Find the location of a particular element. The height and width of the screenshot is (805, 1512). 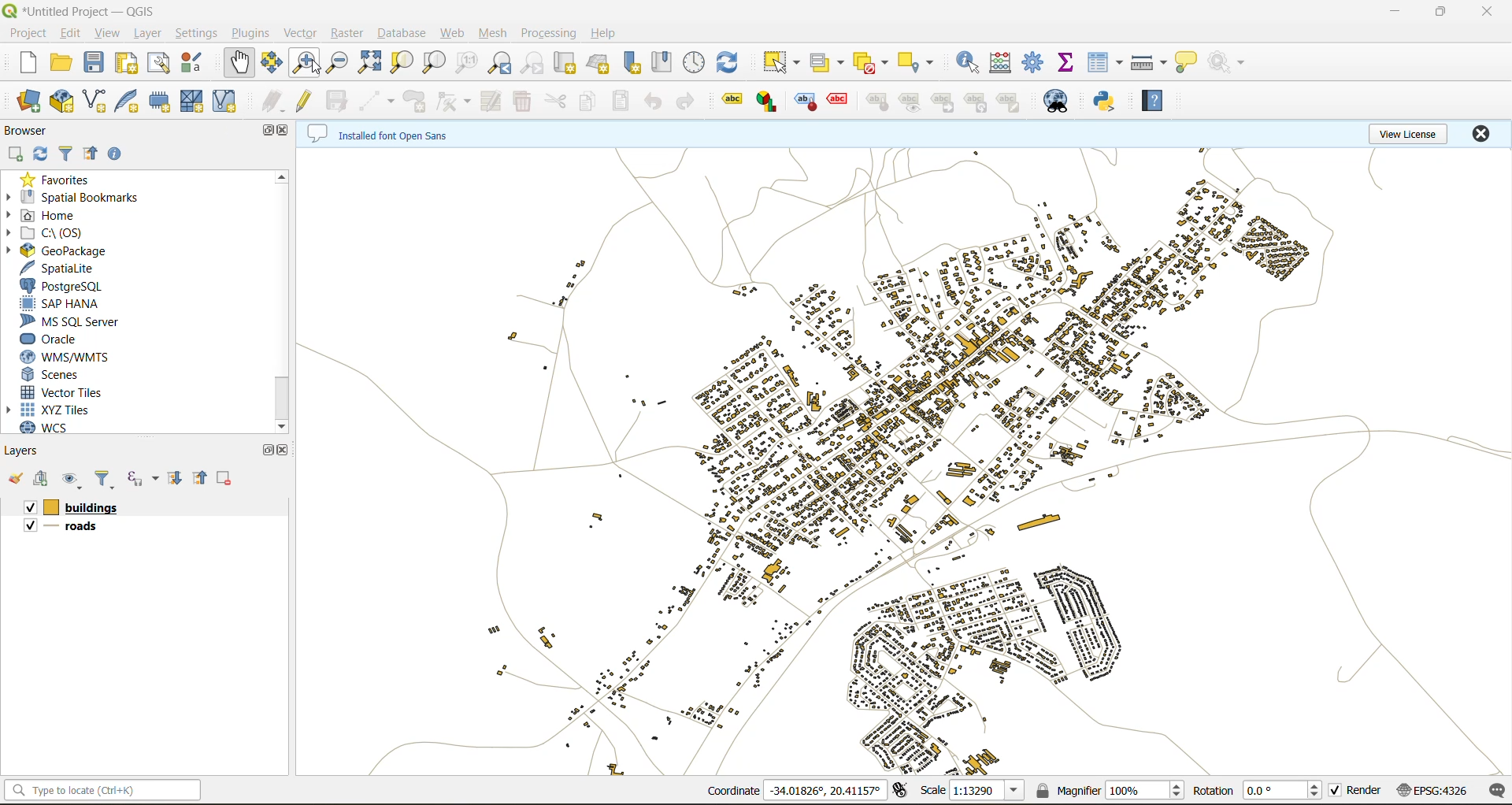

maximize is located at coordinates (266, 450).